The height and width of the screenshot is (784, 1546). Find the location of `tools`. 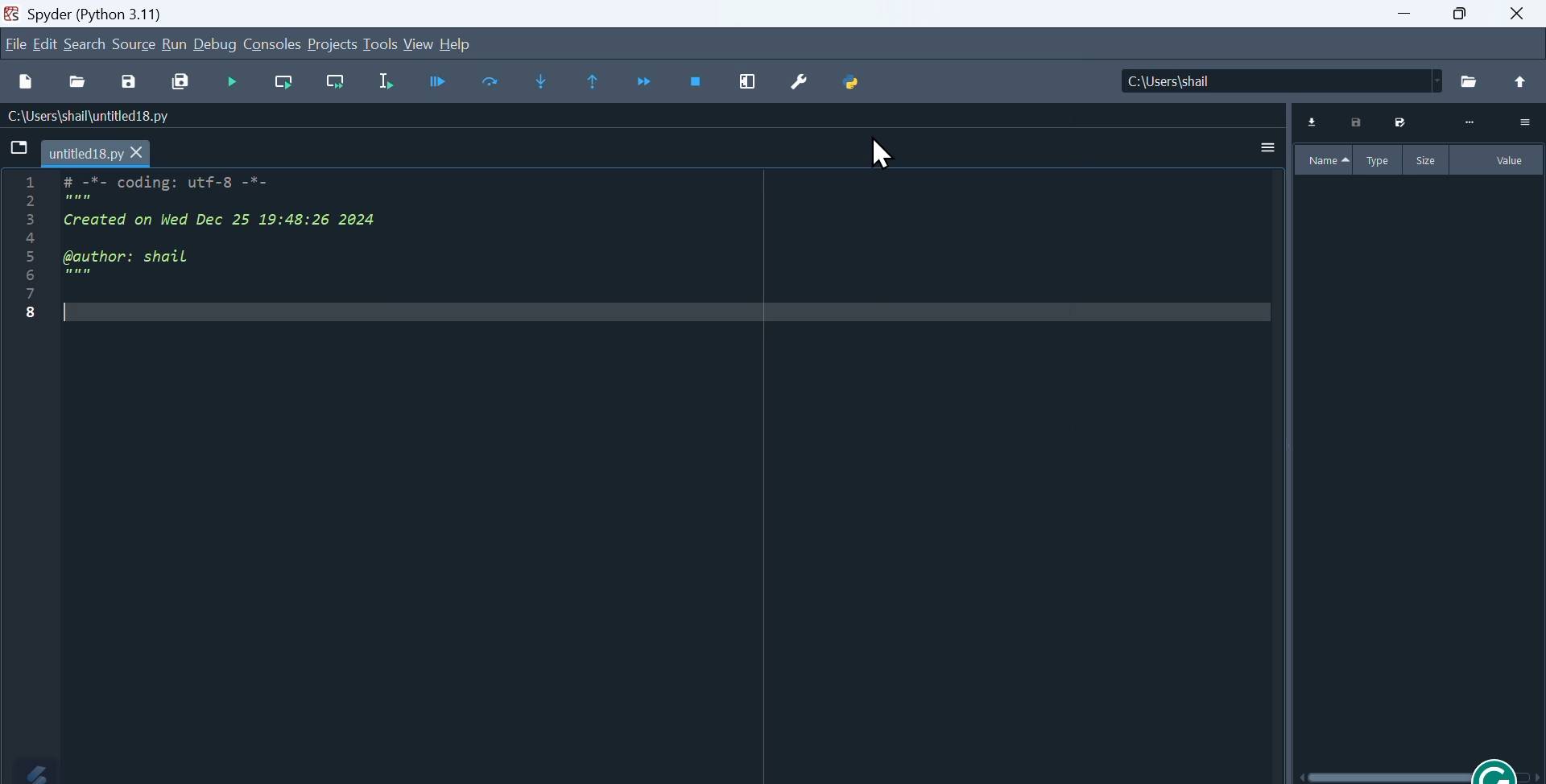

tools is located at coordinates (384, 43).